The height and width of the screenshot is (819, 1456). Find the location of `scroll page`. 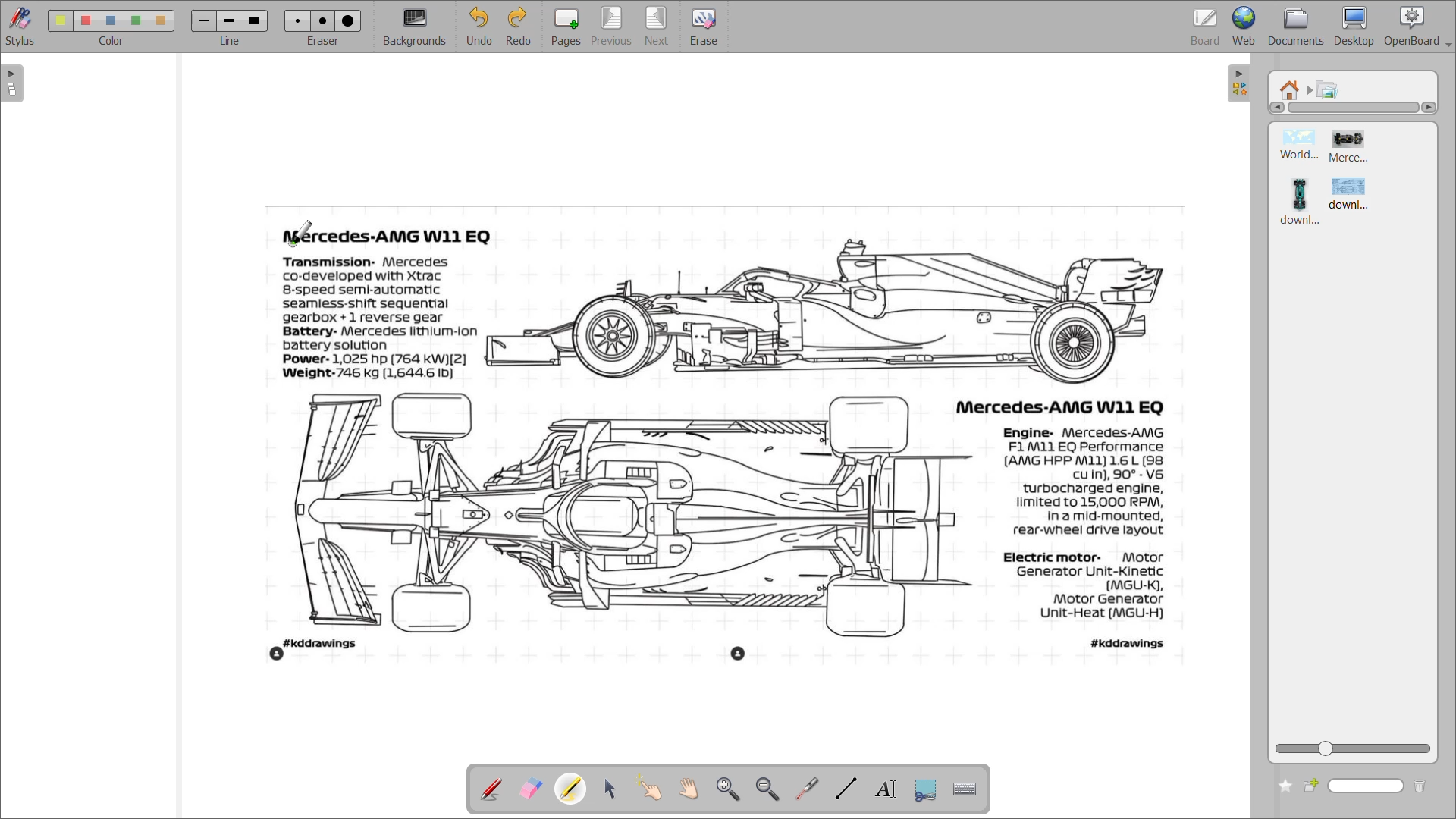

scroll page is located at coordinates (692, 787).